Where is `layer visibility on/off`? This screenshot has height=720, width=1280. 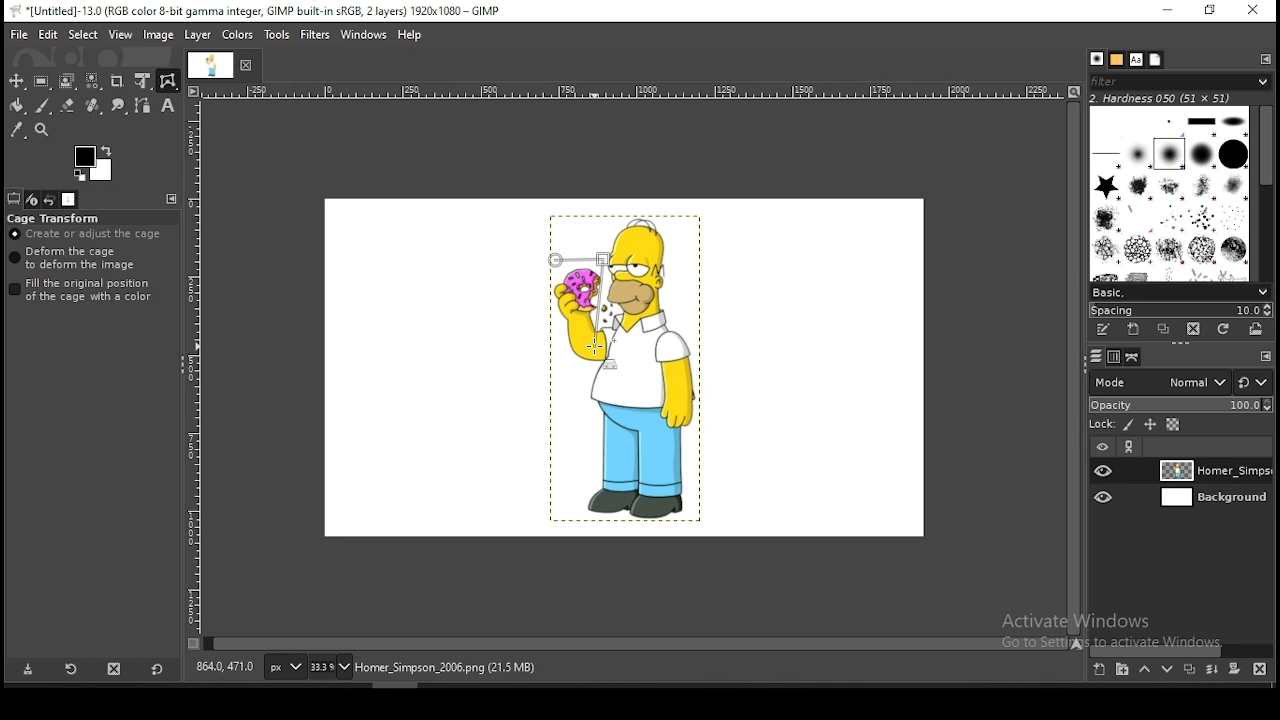 layer visibility on/off is located at coordinates (1105, 497).